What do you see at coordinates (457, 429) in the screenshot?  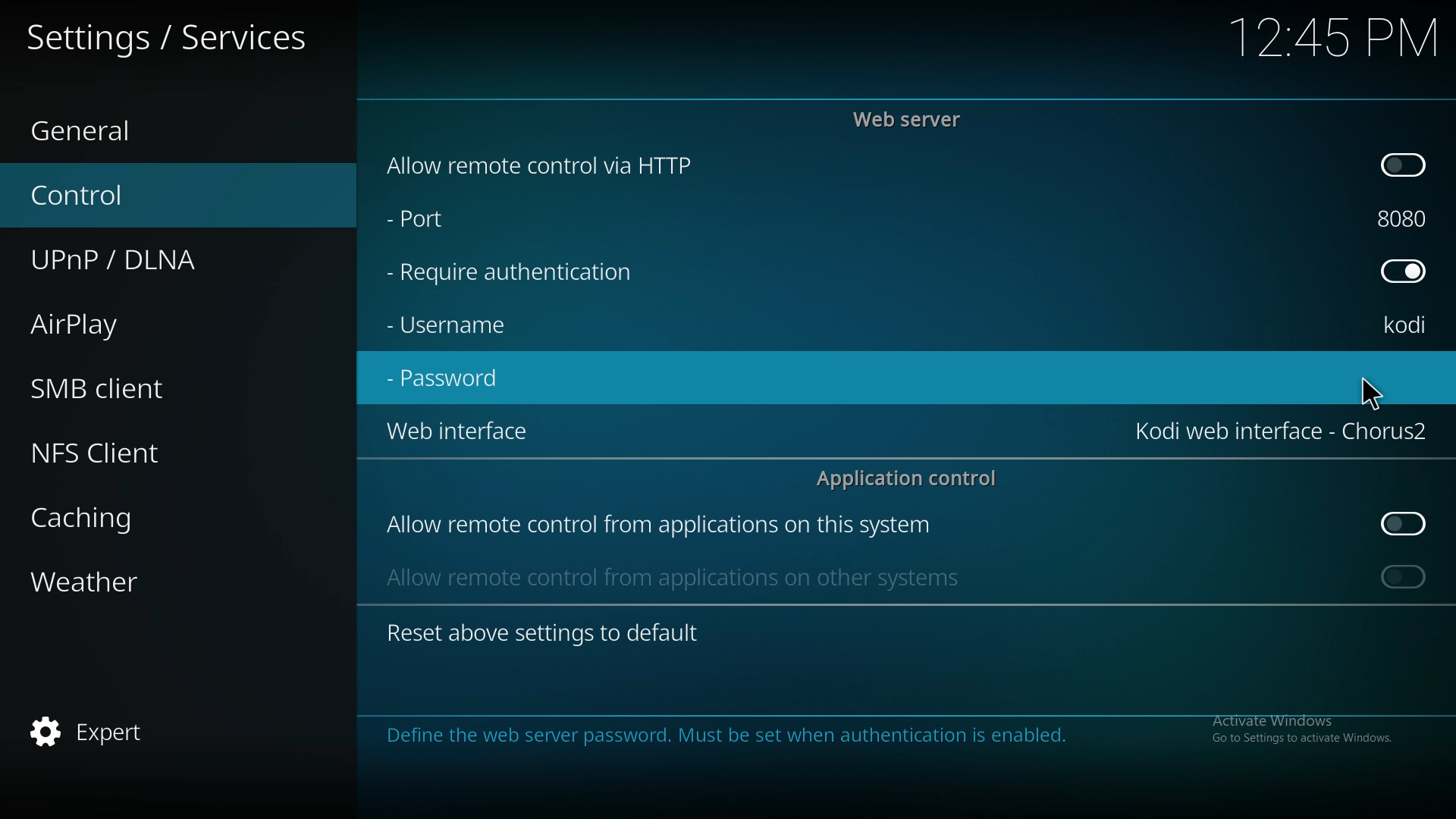 I see `web interface` at bounding box center [457, 429].